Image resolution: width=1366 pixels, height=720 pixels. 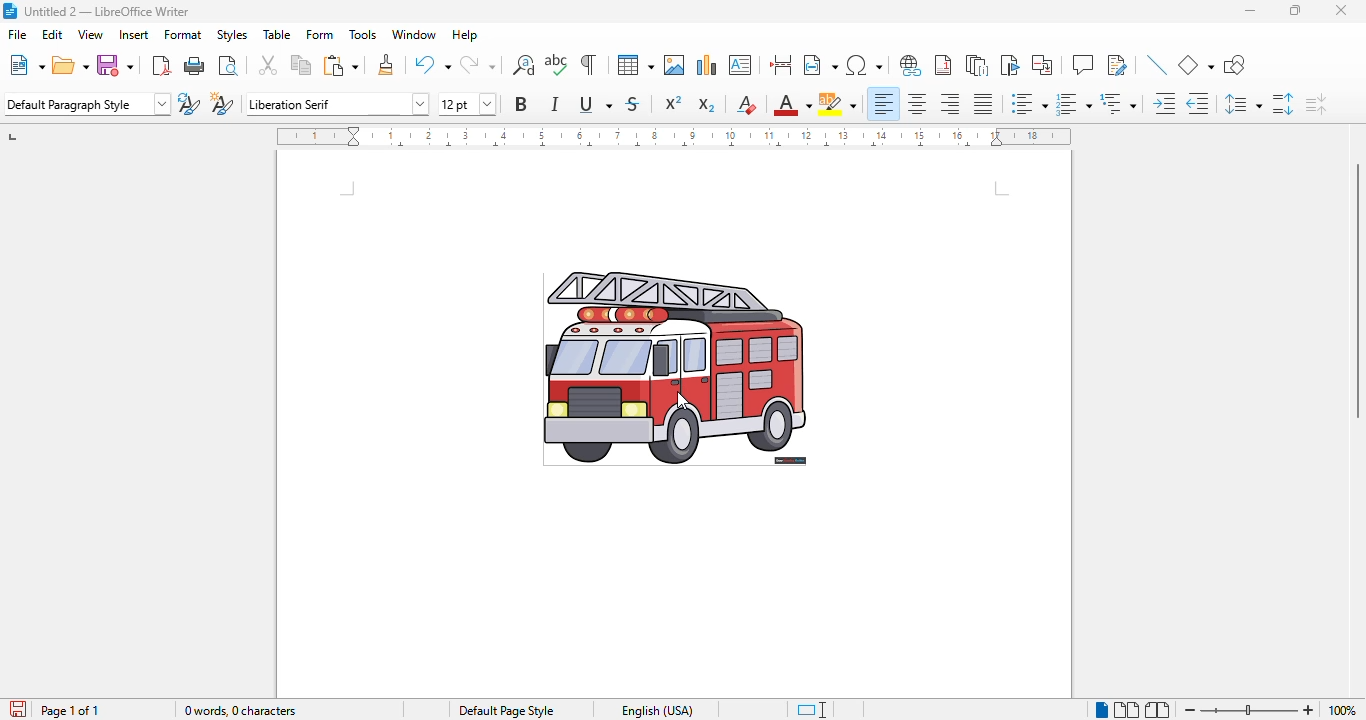 I want to click on update selected style, so click(x=190, y=103).